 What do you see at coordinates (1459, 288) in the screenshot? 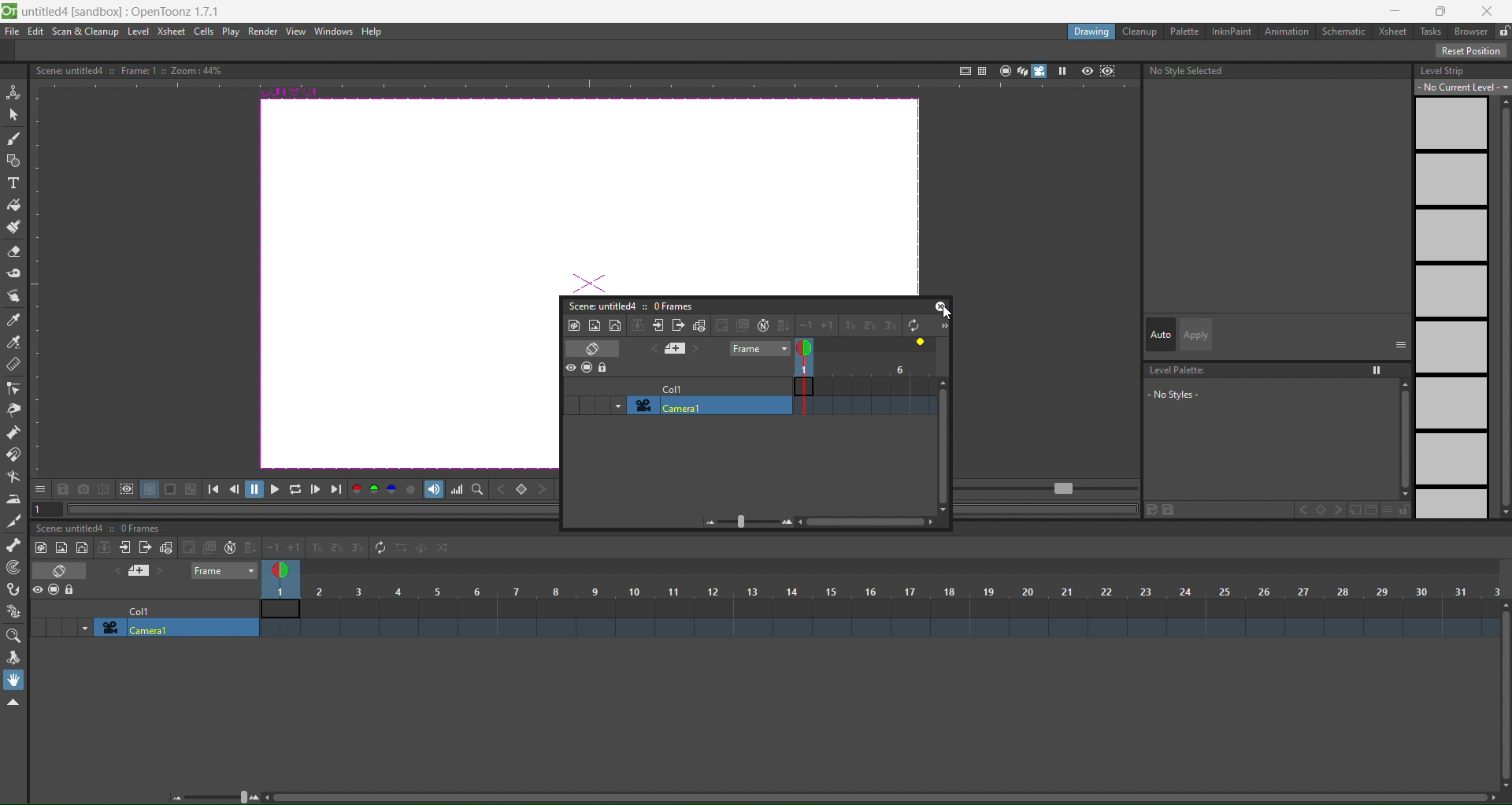
I see `level strip` at bounding box center [1459, 288].